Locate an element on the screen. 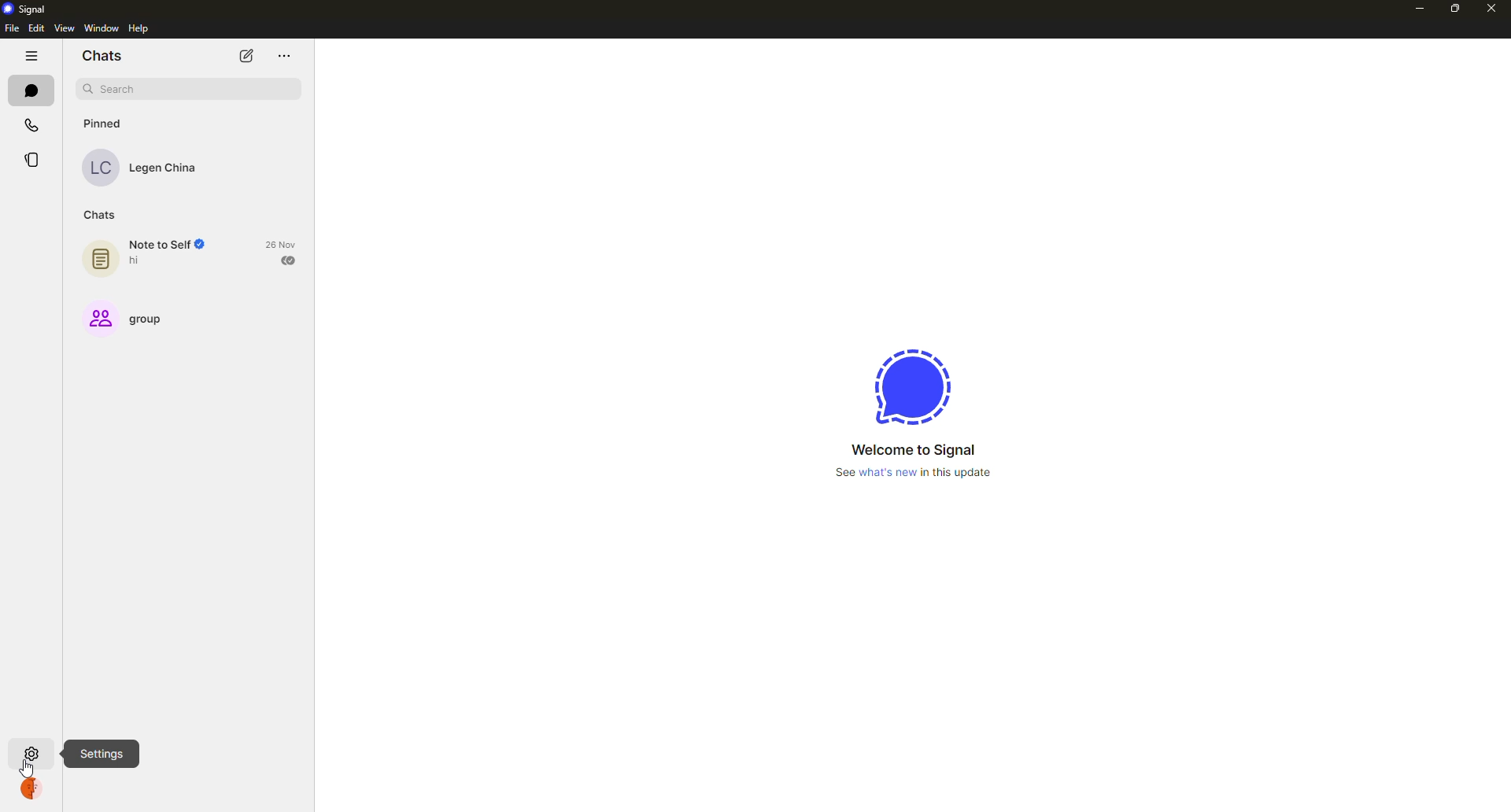  cursor is located at coordinates (29, 769).